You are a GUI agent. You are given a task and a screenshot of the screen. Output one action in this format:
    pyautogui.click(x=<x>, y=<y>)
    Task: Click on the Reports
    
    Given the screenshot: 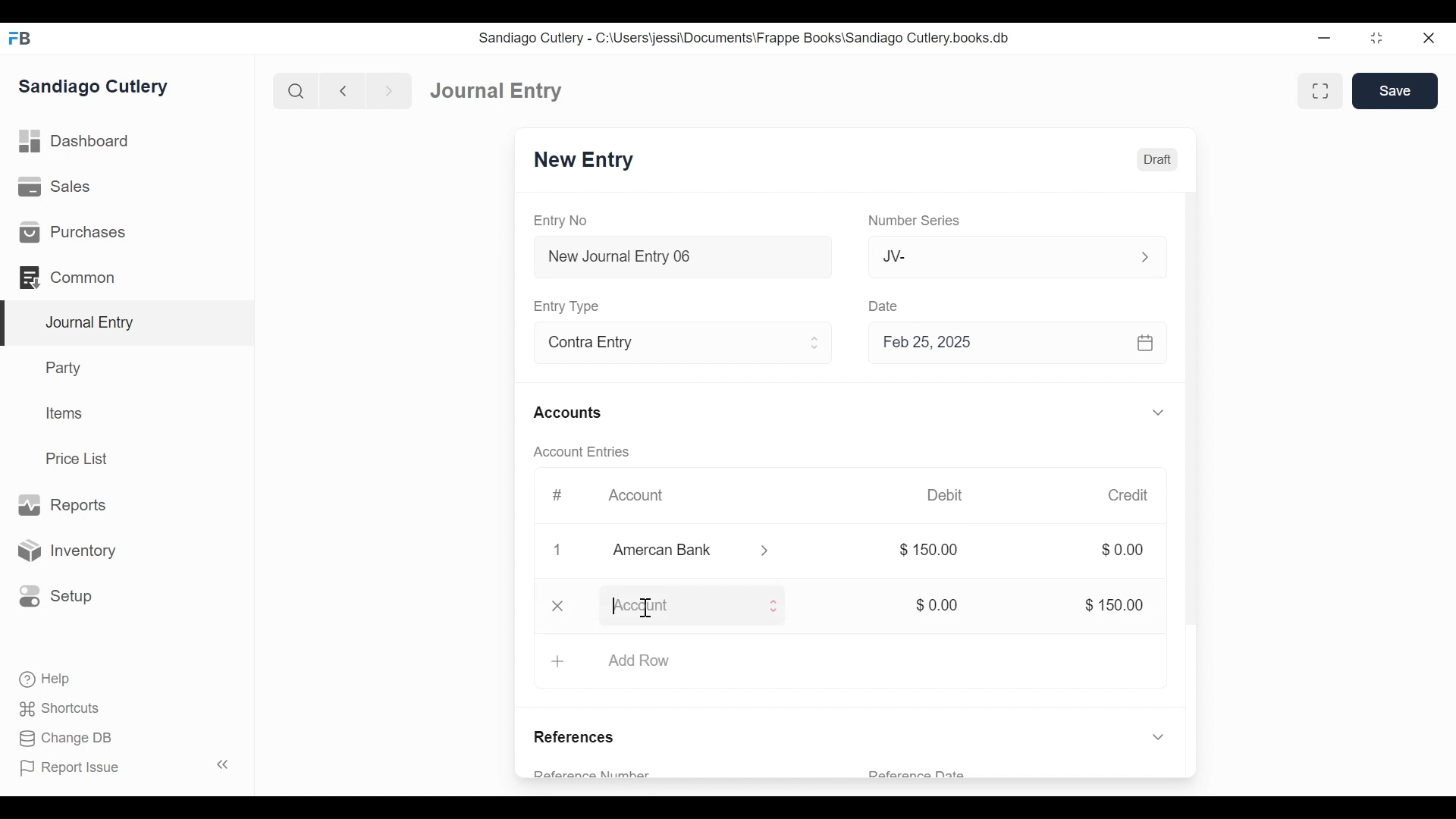 What is the action you would take?
    pyautogui.click(x=61, y=506)
    